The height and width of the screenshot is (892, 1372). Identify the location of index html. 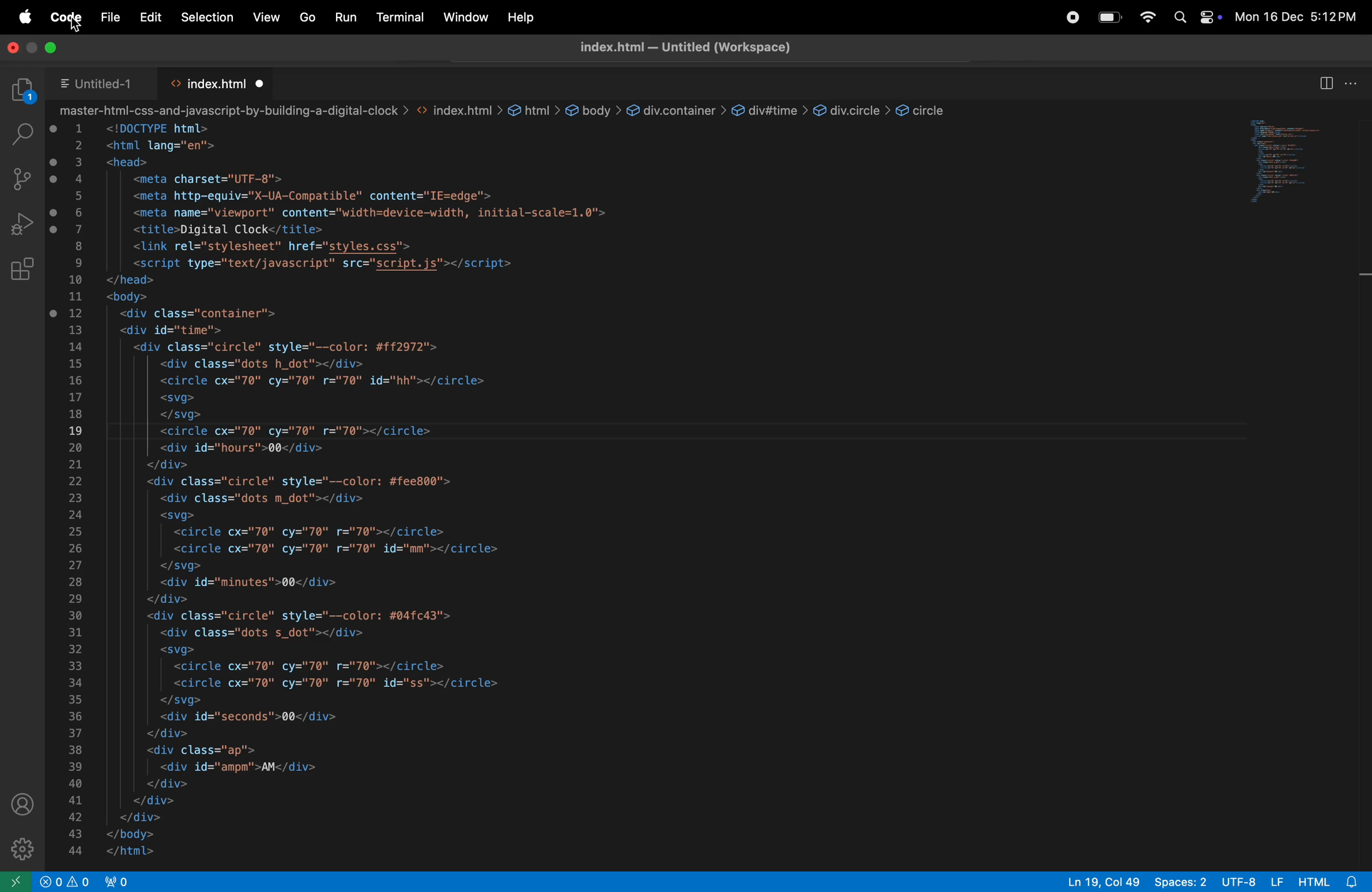
(219, 81).